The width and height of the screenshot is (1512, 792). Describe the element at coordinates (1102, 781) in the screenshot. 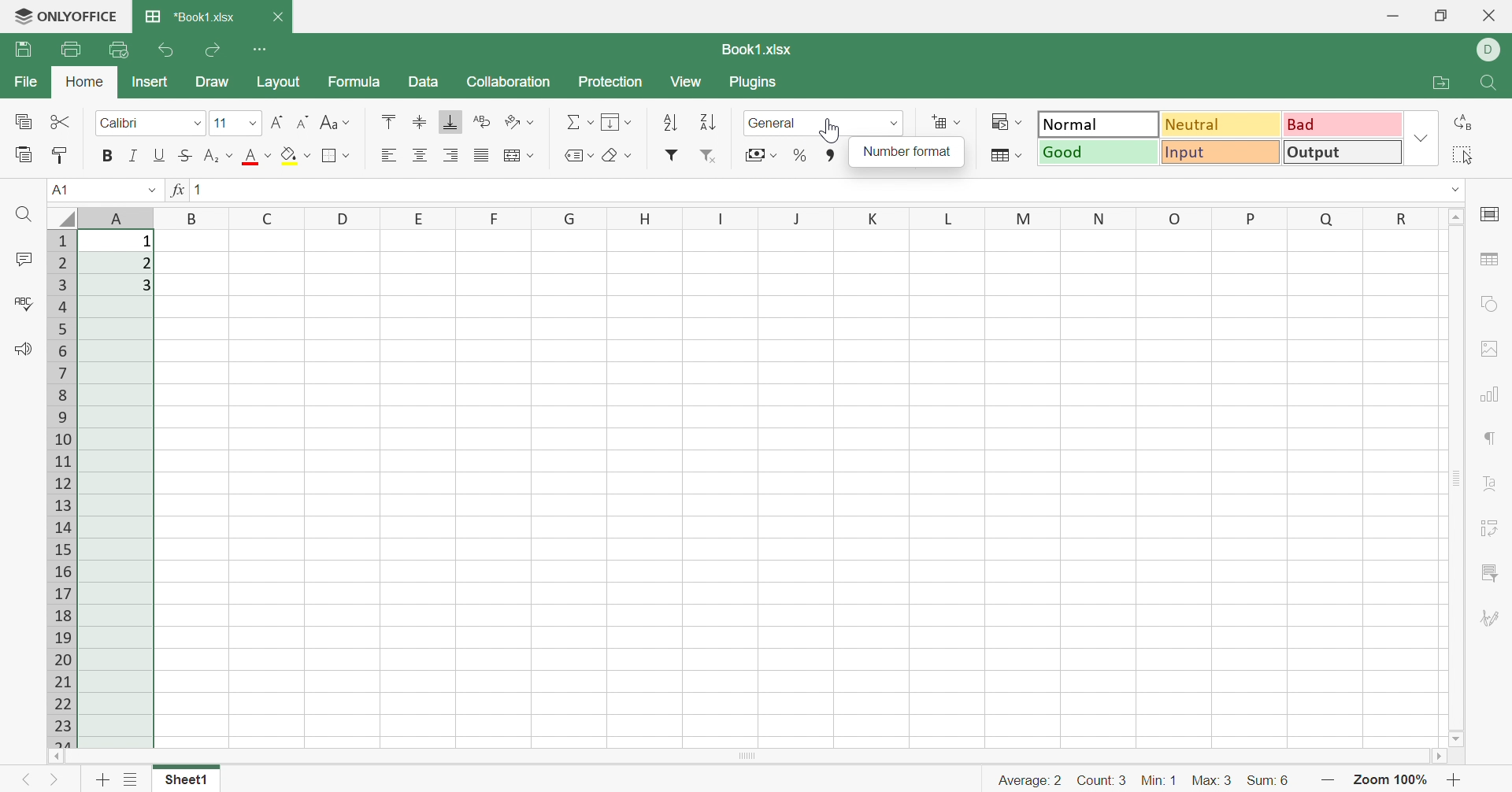

I see `Count: 3` at that location.